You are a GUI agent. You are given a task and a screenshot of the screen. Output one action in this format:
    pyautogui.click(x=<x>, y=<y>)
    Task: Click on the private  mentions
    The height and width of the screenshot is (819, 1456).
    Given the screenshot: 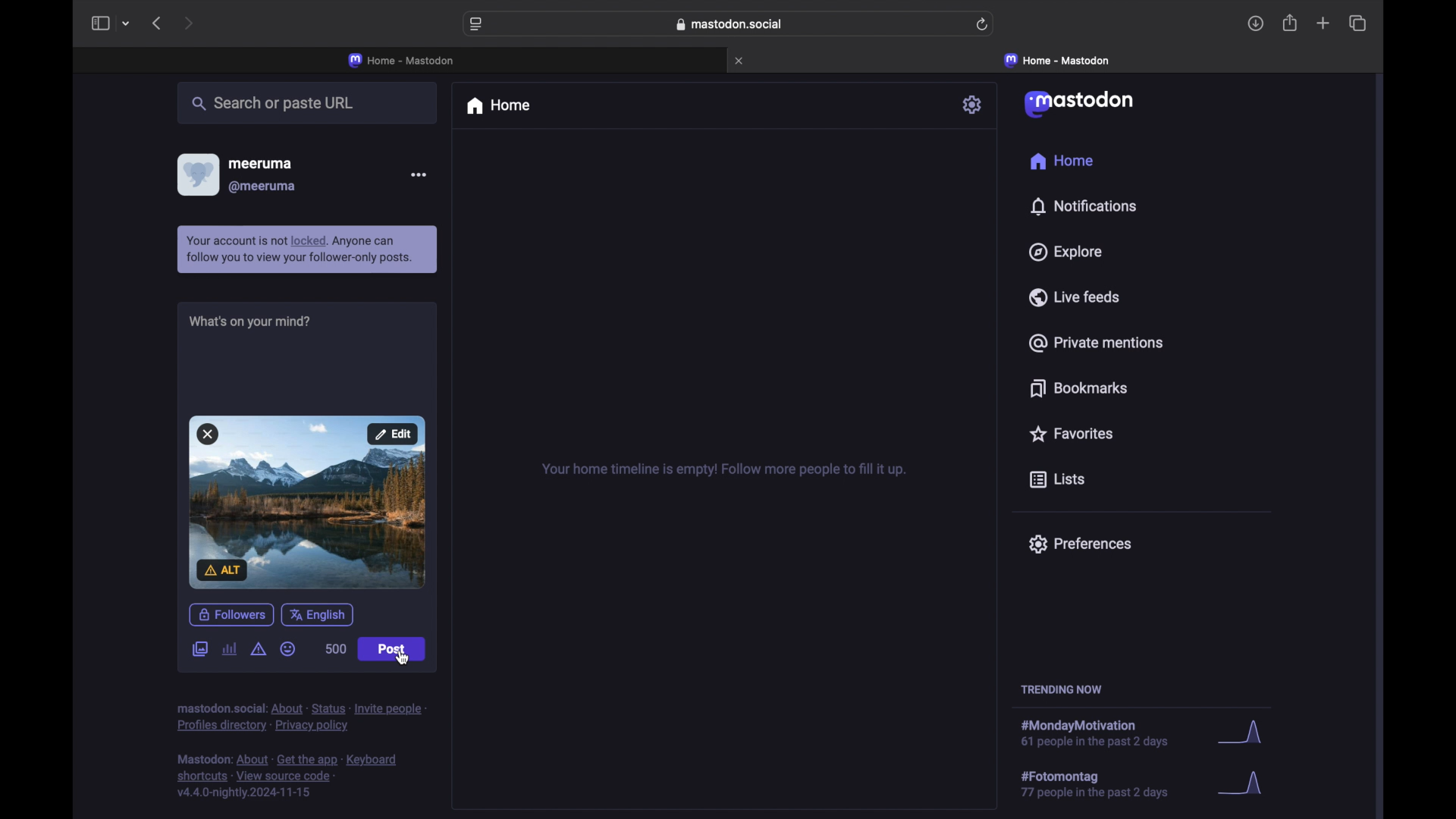 What is the action you would take?
    pyautogui.click(x=1095, y=343)
    